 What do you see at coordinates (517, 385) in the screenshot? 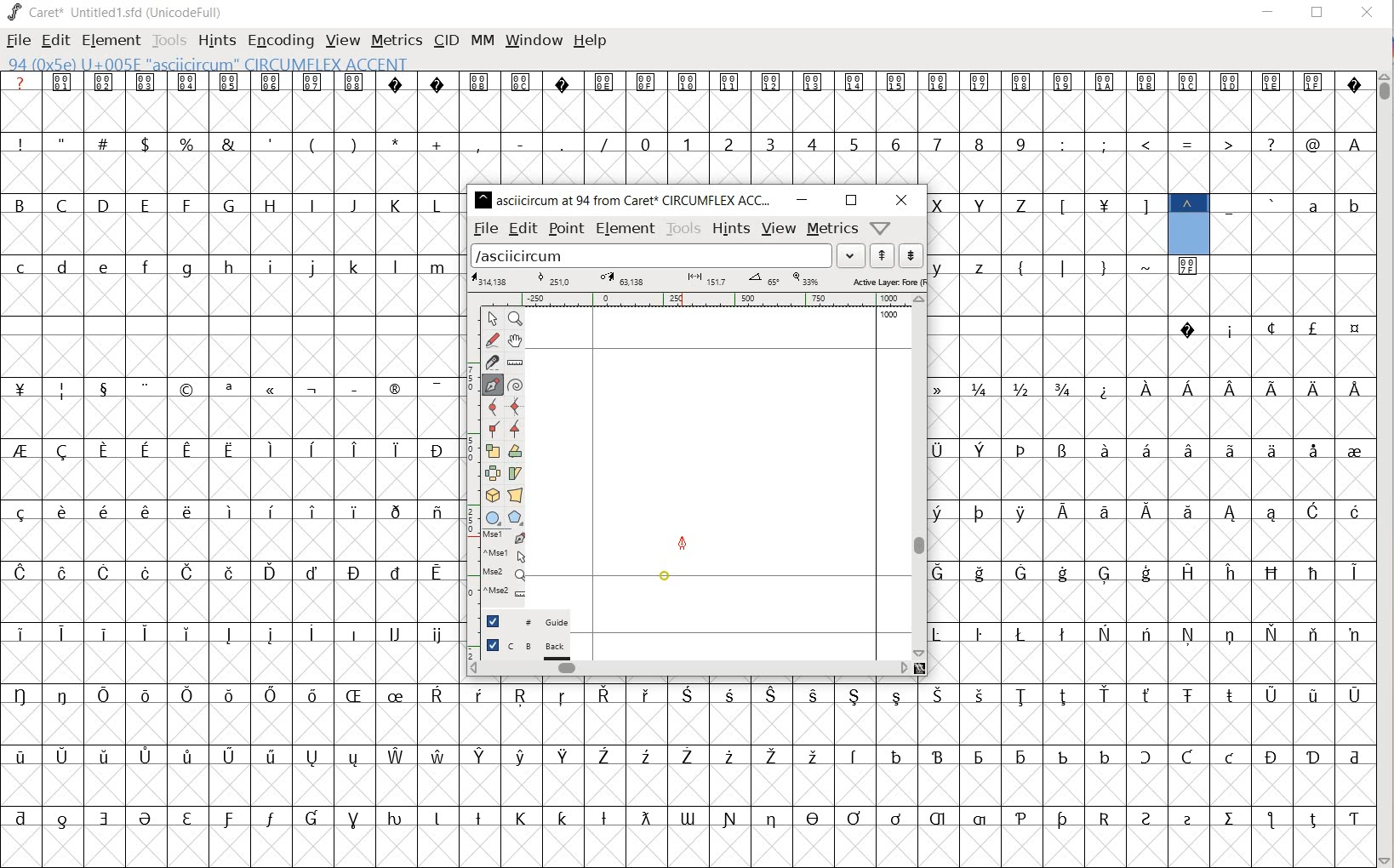
I see `change whether spiro is active or not` at bounding box center [517, 385].